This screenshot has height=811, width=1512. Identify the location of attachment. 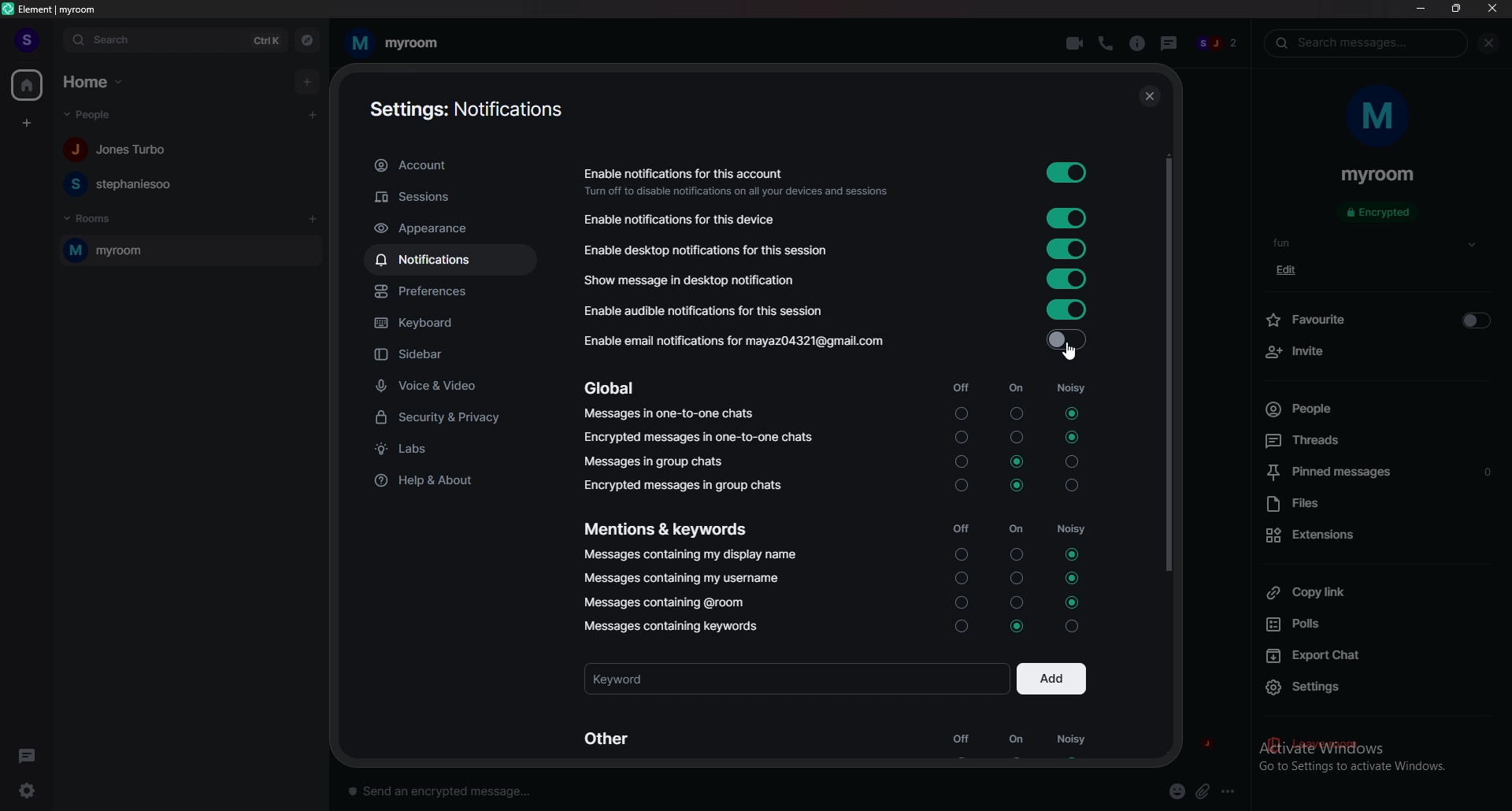
(1203, 792).